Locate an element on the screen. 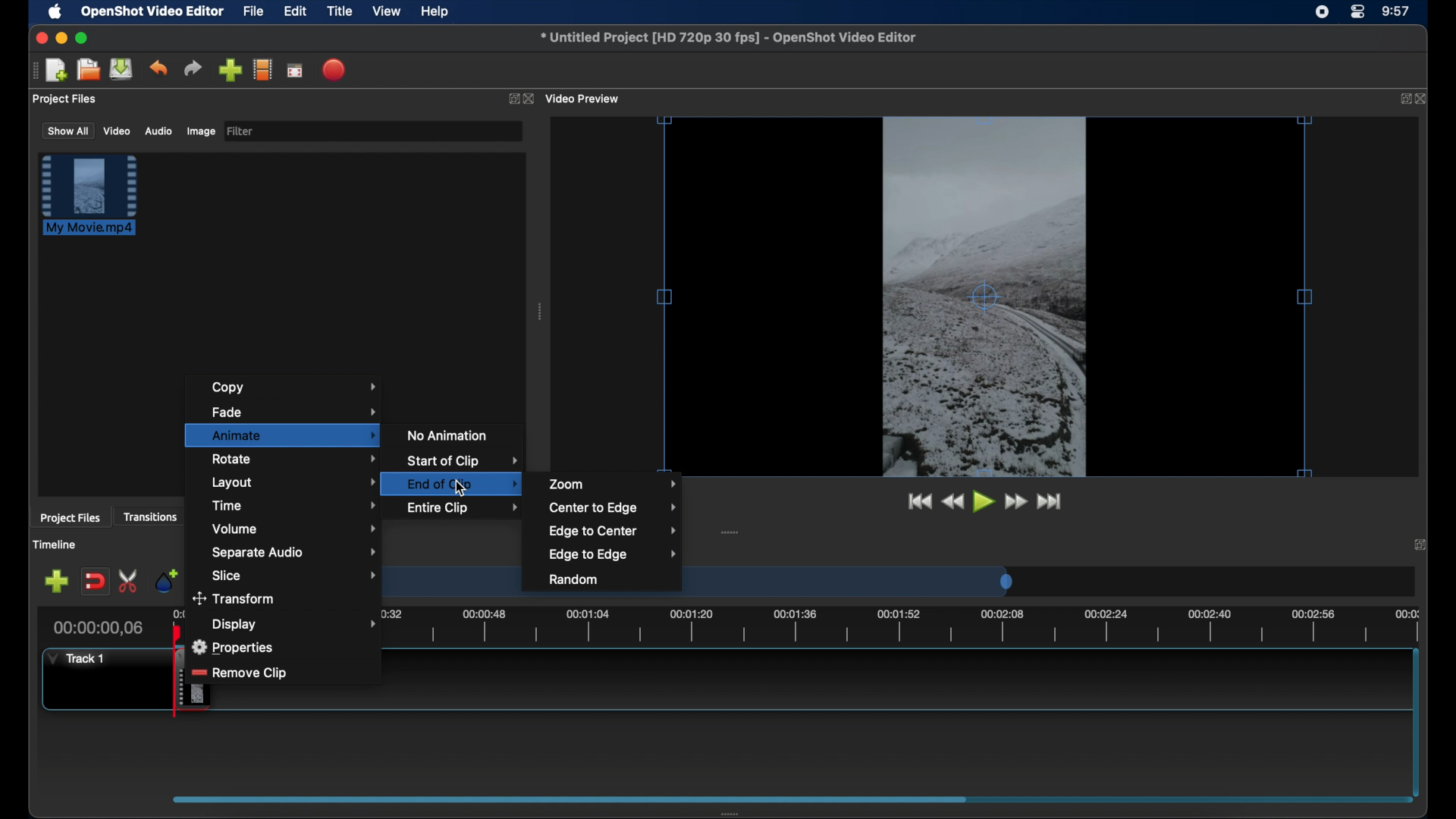 The width and height of the screenshot is (1456, 819). display menu is located at coordinates (293, 624).